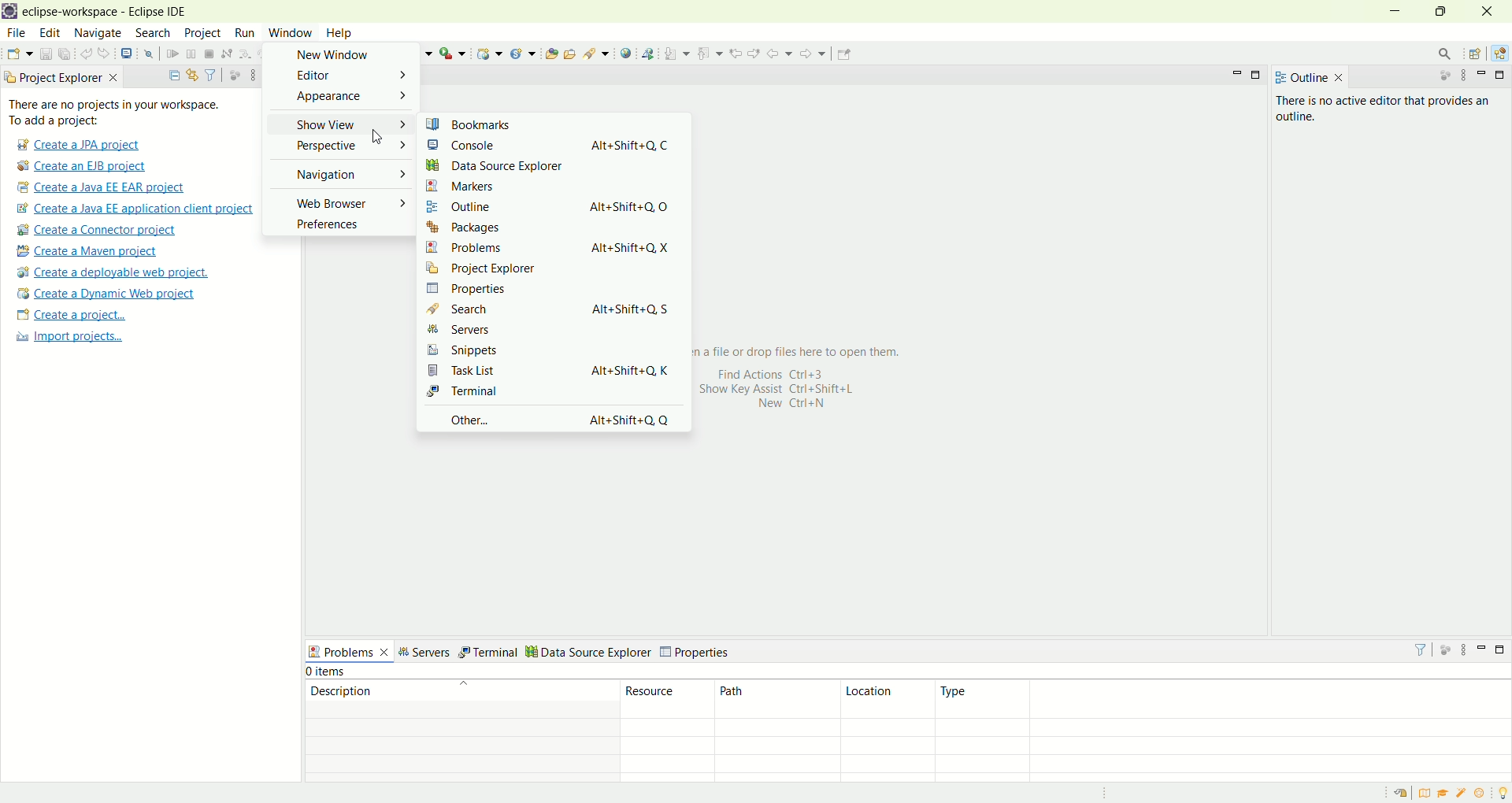 The height and width of the screenshot is (803, 1512). What do you see at coordinates (982, 700) in the screenshot?
I see `type` at bounding box center [982, 700].